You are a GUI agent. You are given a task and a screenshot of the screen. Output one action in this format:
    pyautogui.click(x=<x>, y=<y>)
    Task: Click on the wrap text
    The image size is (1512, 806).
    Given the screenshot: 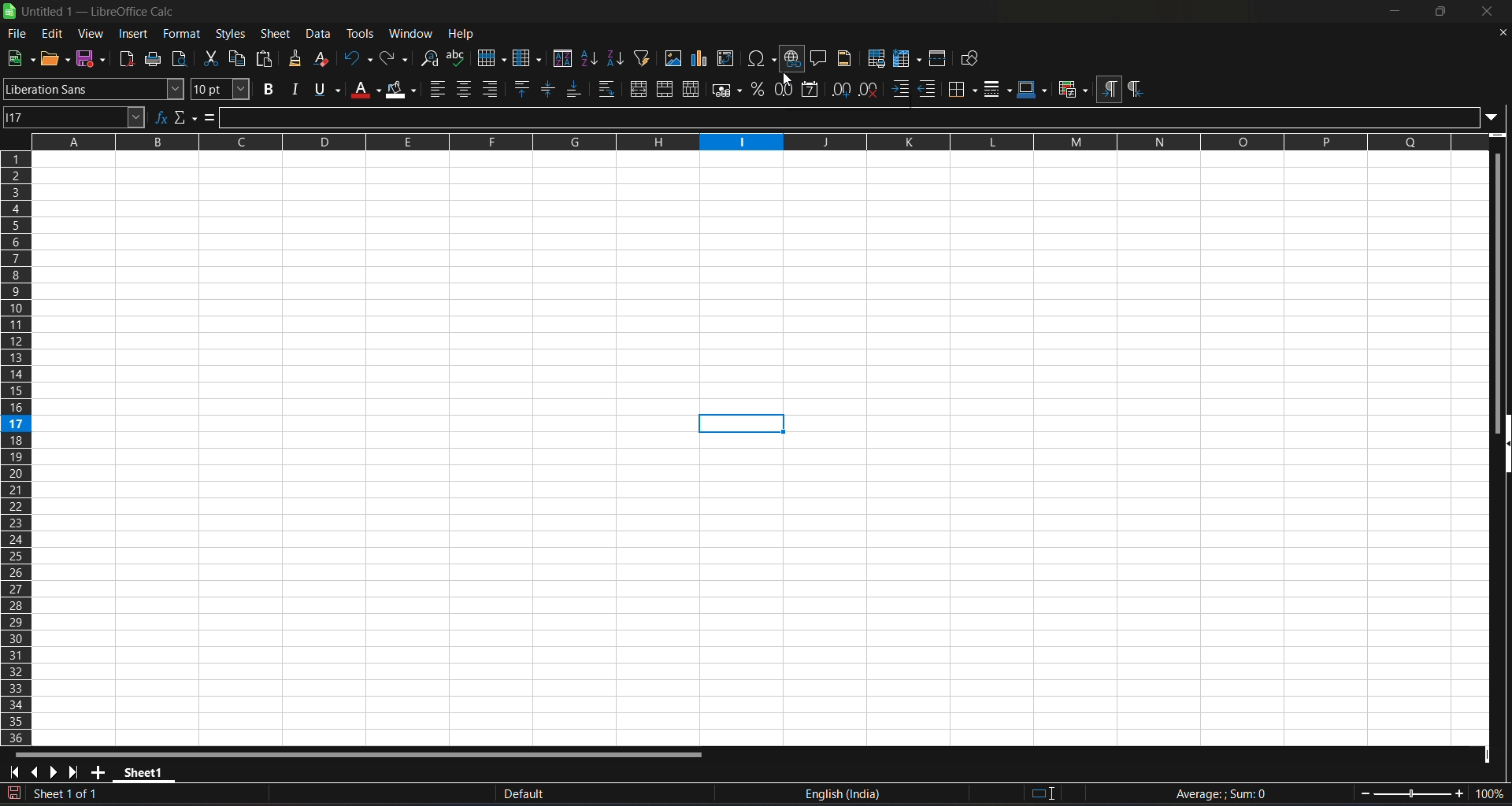 What is the action you would take?
    pyautogui.click(x=608, y=89)
    